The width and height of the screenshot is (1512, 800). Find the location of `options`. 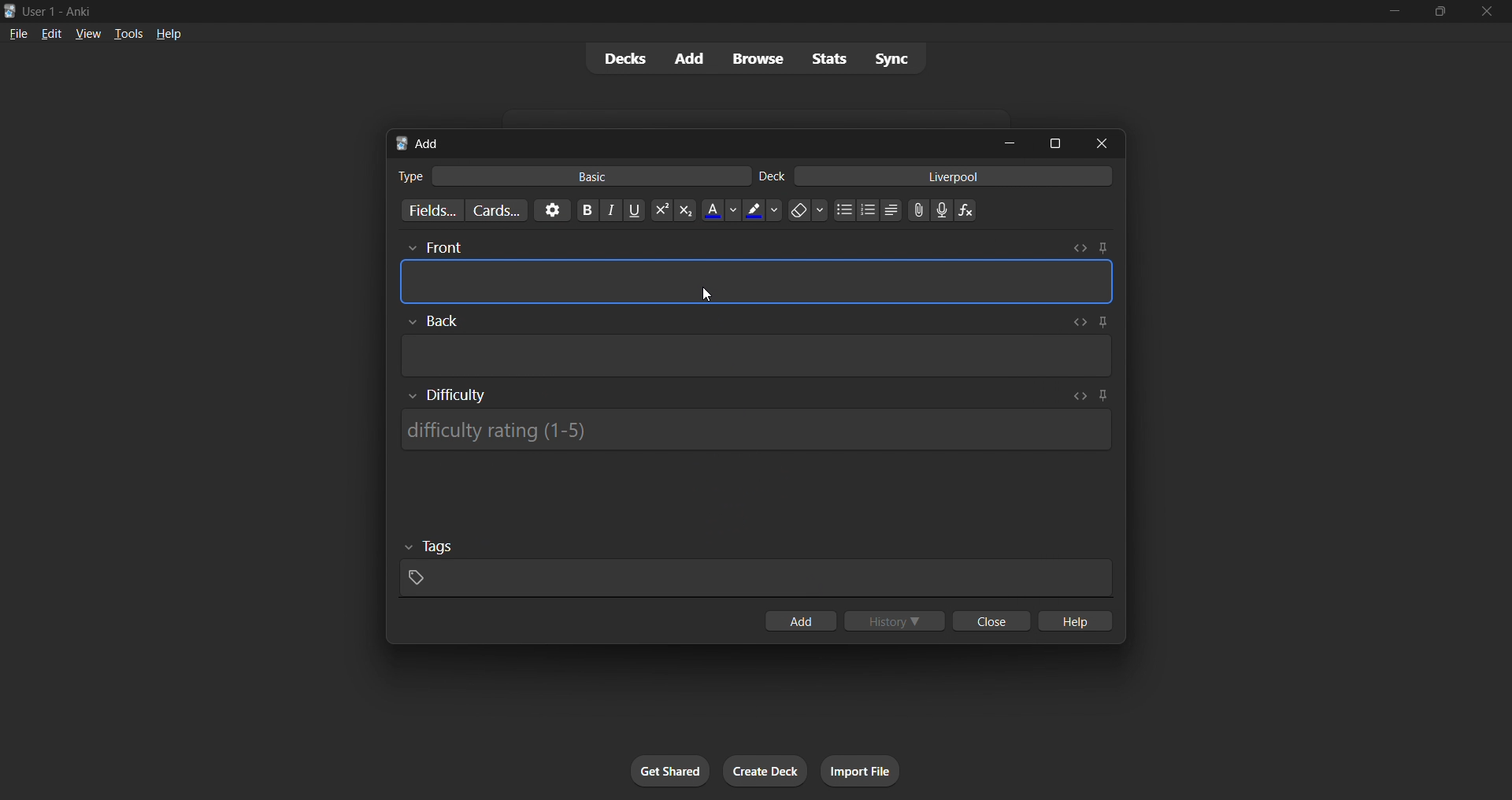

options is located at coordinates (552, 210).